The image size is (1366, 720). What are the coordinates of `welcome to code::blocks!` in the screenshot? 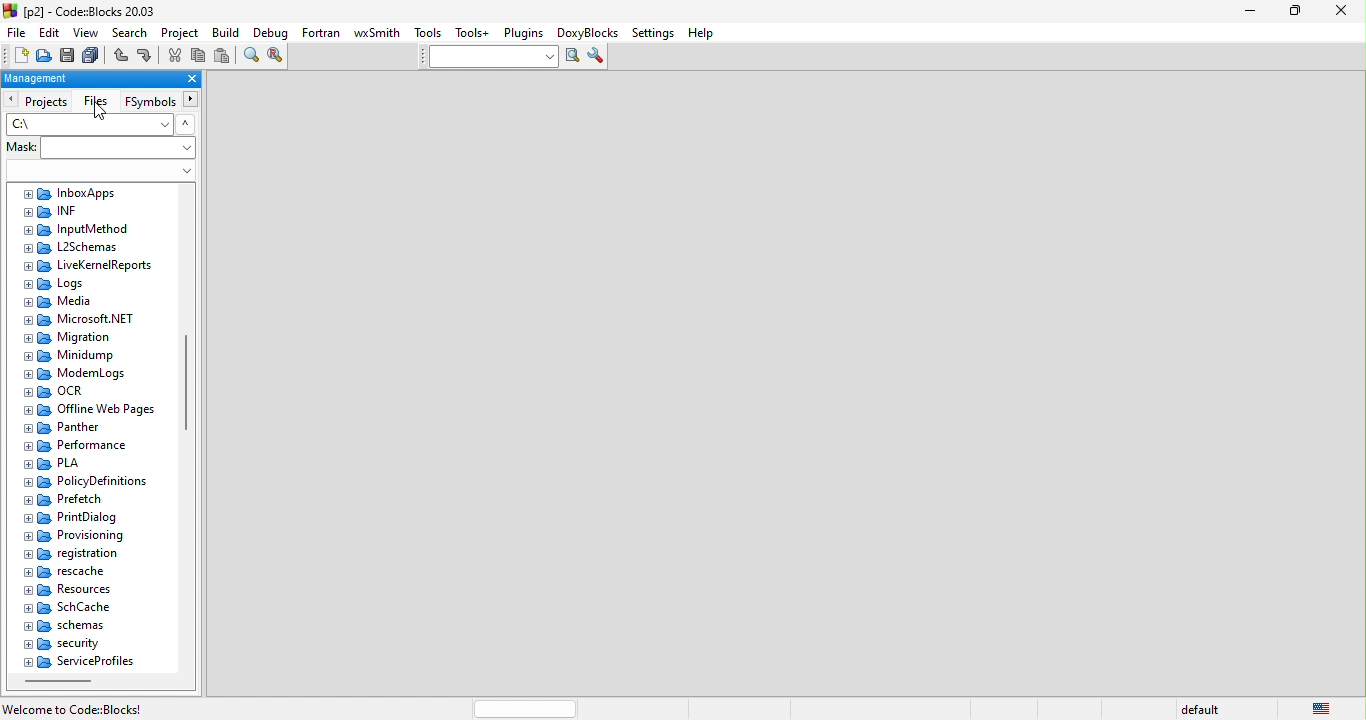 It's located at (77, 708).